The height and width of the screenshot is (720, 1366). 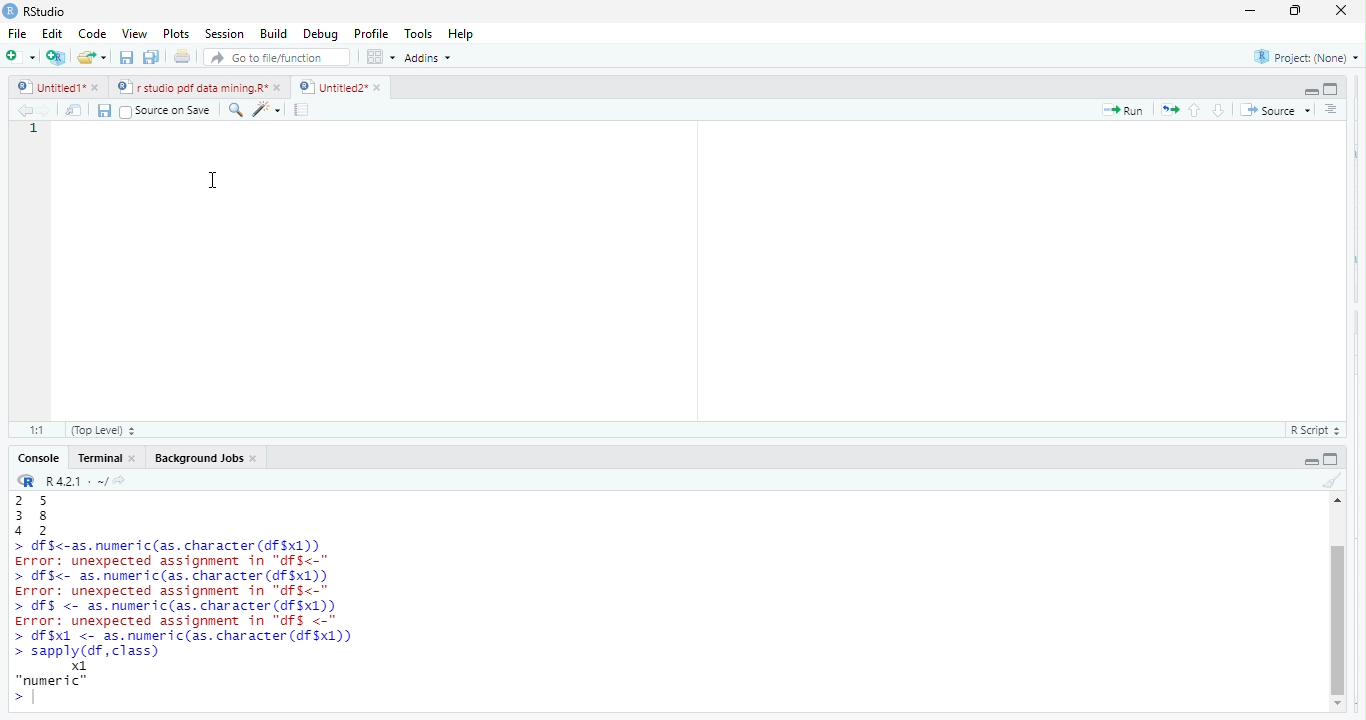 What do you see at coordinates (105, 111) in the screenshot?
I see `save current document` at bounding box center [105, 111].